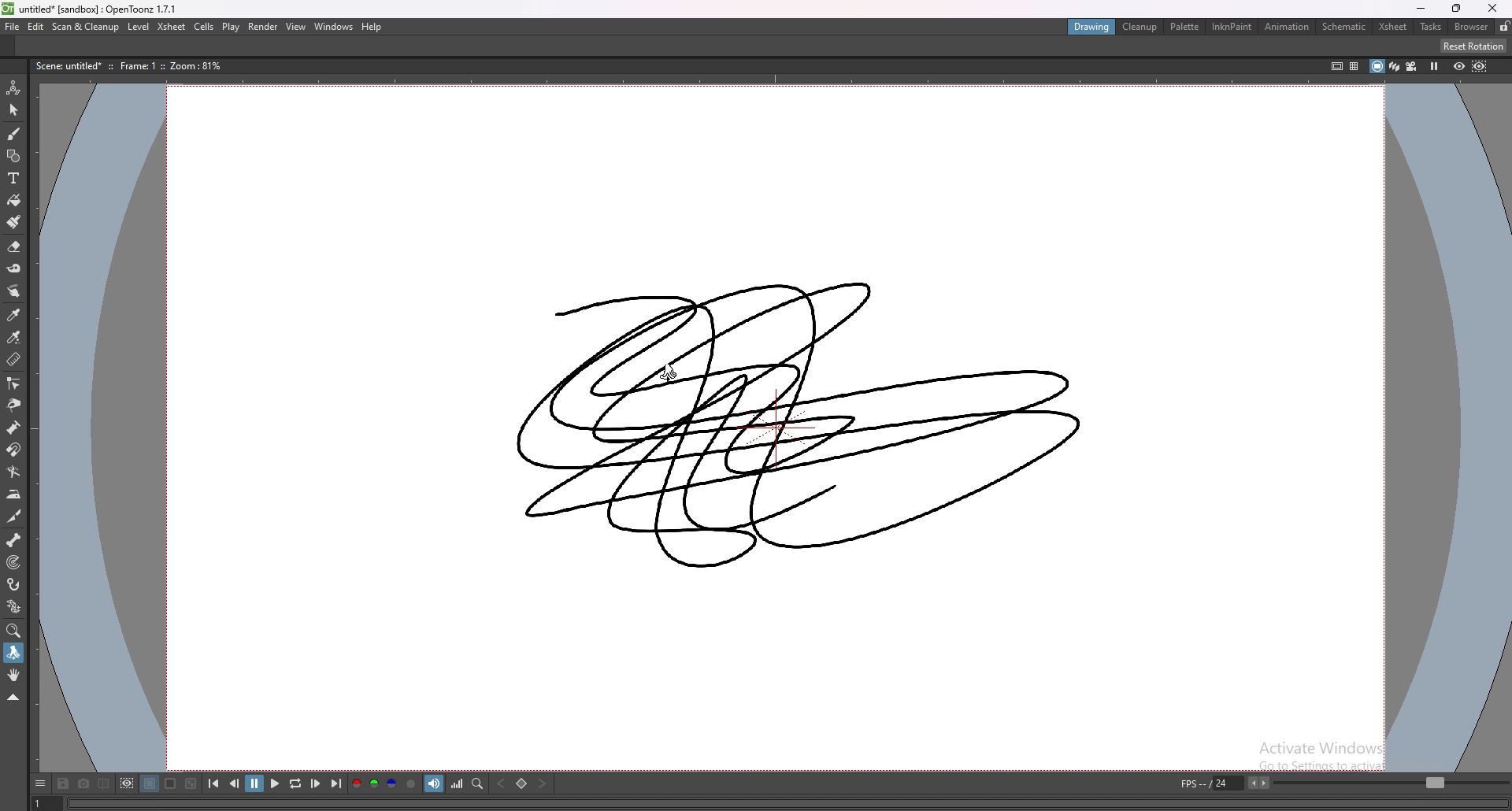  Describe the element at coordinates (128, 783) in the screenshot. I see `define sub camera` at that location.